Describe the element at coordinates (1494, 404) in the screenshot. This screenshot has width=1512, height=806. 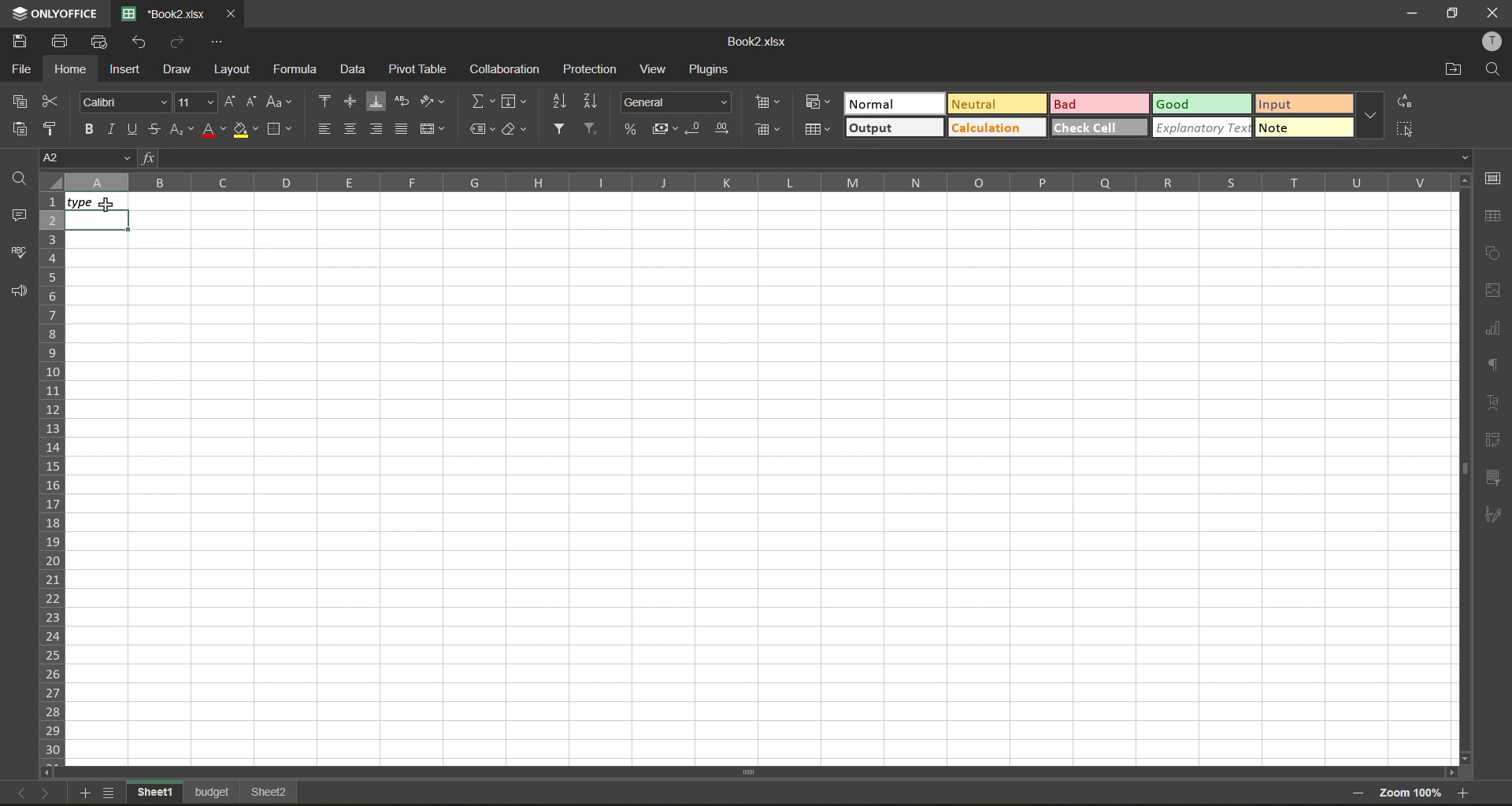
I see `text` at that location.